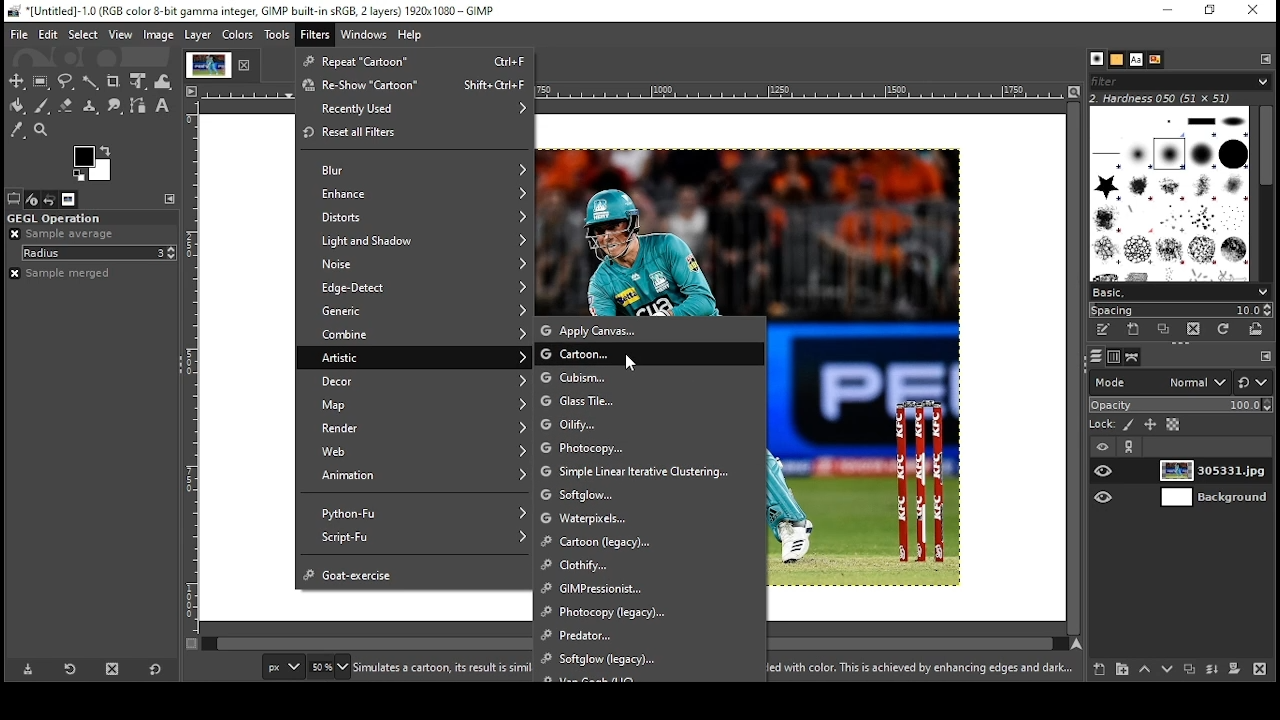 The image size is (1280, 720). I want to click on map, so click(417, 404).